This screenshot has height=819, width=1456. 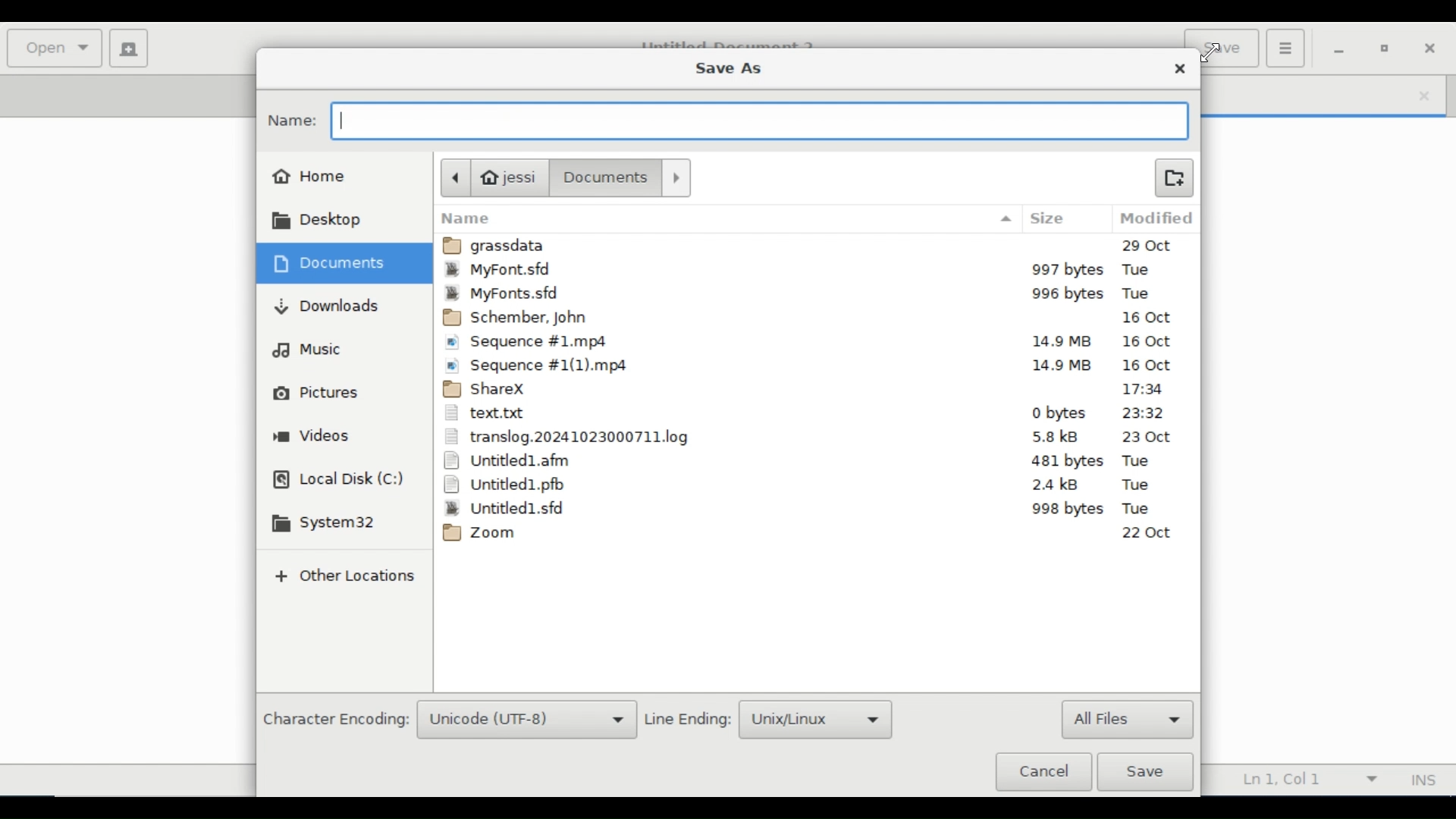 I want to click on text.txt 0 bytes 23:32, so click(x=811, y=415).